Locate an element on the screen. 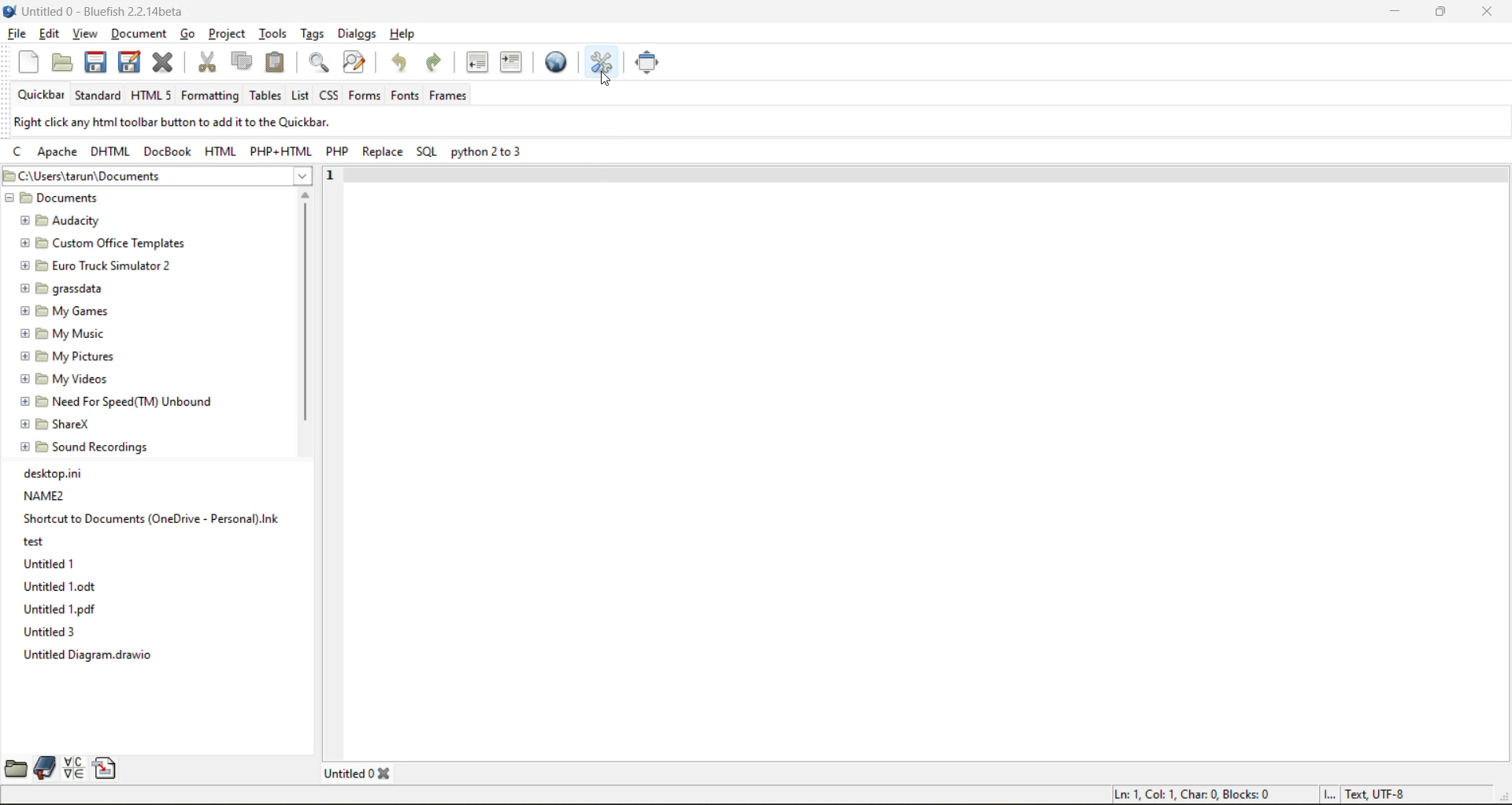 The width and height of the screenshot is (1512, 805). metadata is located at coordinates (1258, 795).